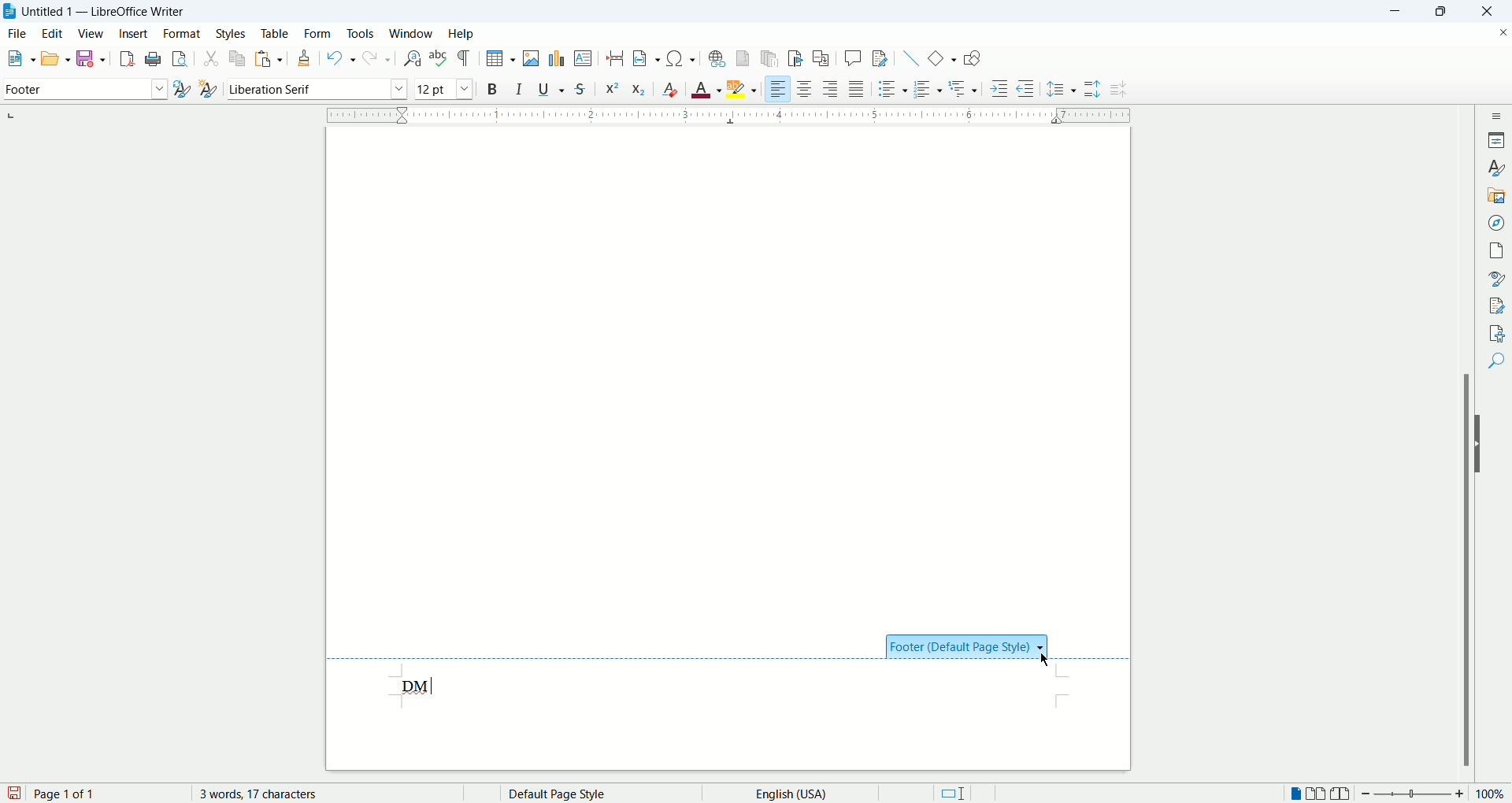 Image resolution: width=1512 pixels, height=803 pixels. Describe the element at coordinates (54, 57) in the screenshot. I see `open` at that location.